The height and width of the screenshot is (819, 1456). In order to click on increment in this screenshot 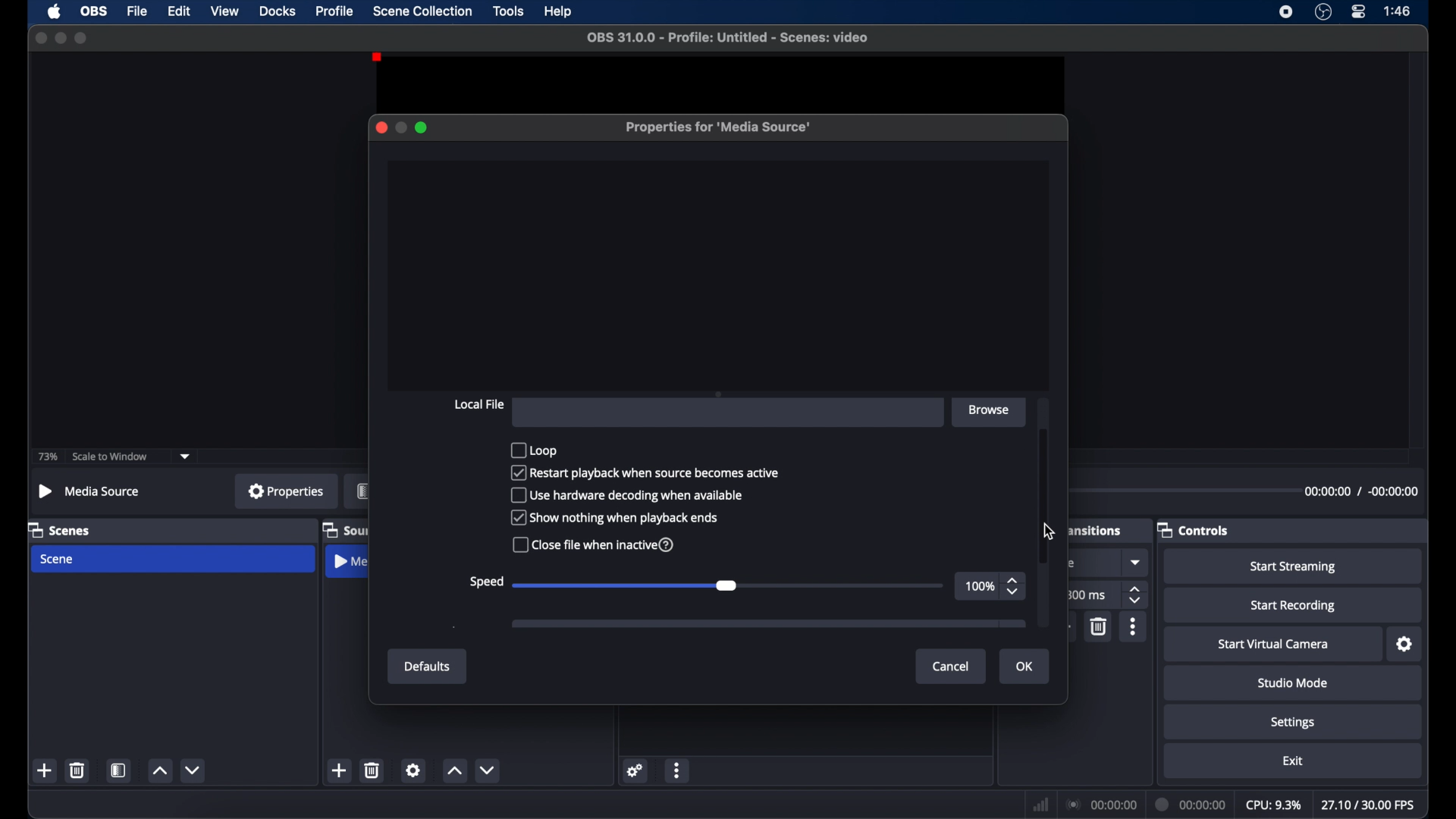, I will do `click(453, 770)`.